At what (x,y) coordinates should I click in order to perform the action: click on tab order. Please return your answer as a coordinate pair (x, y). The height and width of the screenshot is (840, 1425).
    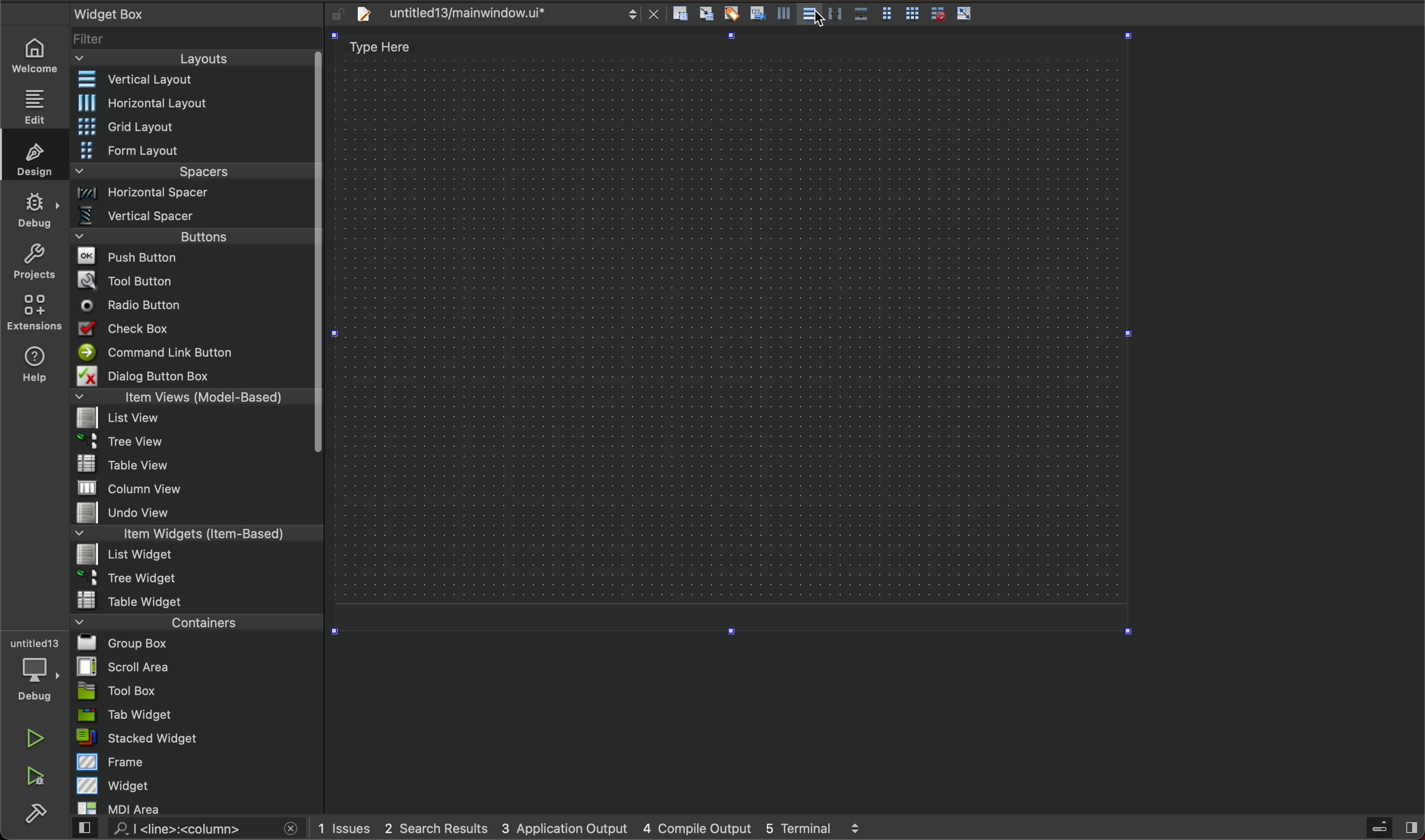
    Looking at the image, I should click on (759, 12).